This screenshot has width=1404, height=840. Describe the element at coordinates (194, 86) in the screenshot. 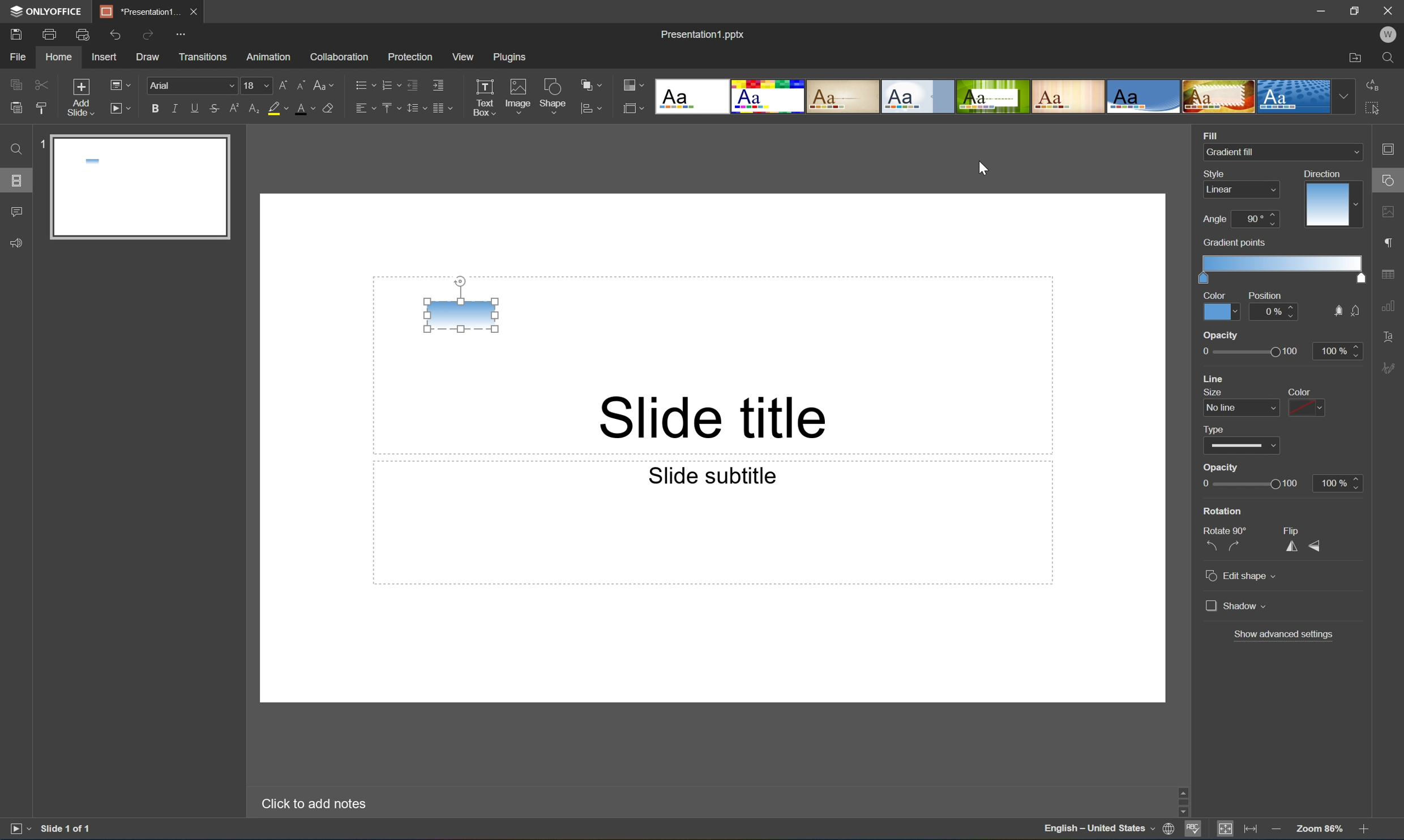

I see `Font` at that location.